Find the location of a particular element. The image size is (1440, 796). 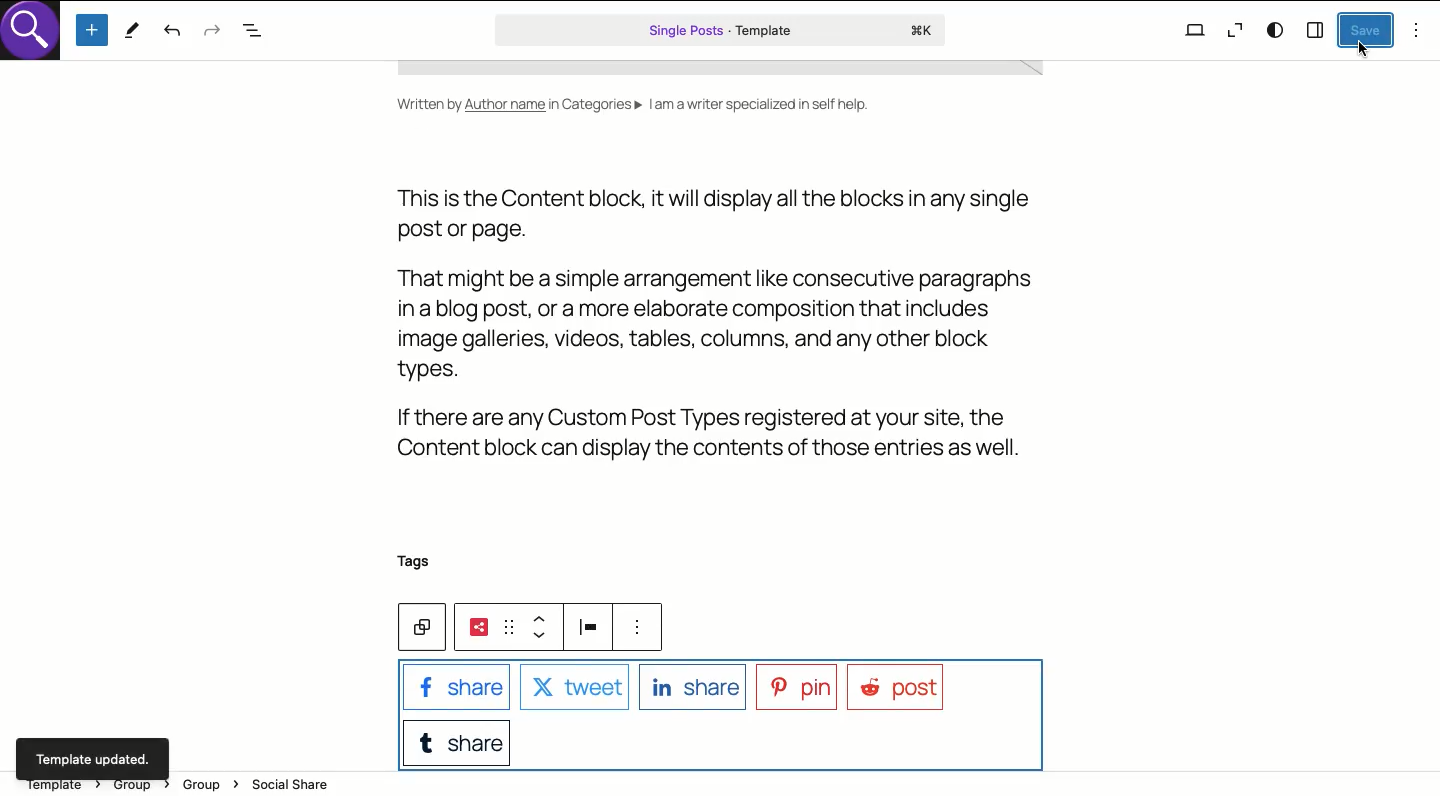

Options is located at coordinates (1417, 30).